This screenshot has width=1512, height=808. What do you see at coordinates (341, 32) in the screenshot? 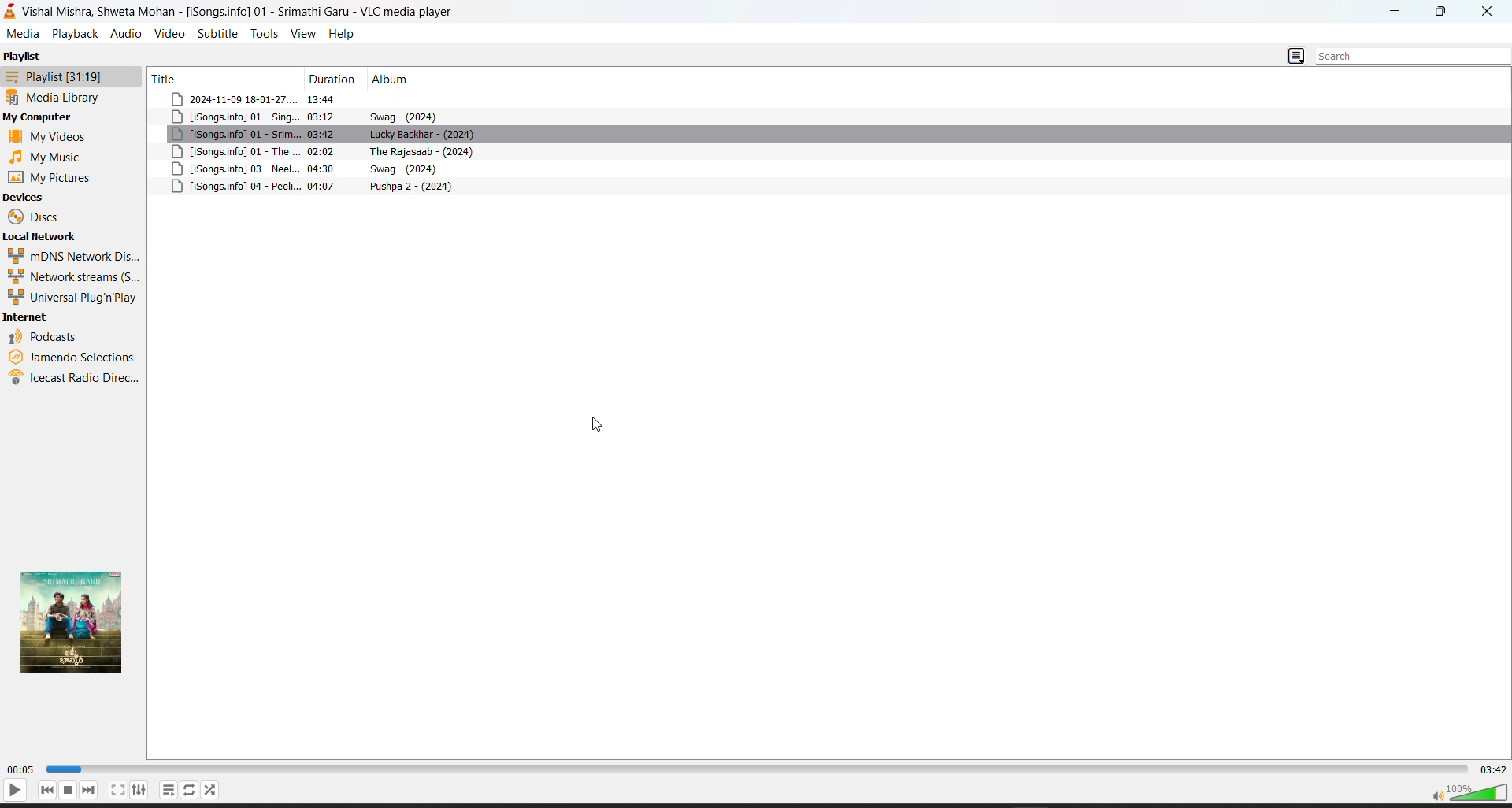
I see `help` at bounding box center [341, 32].